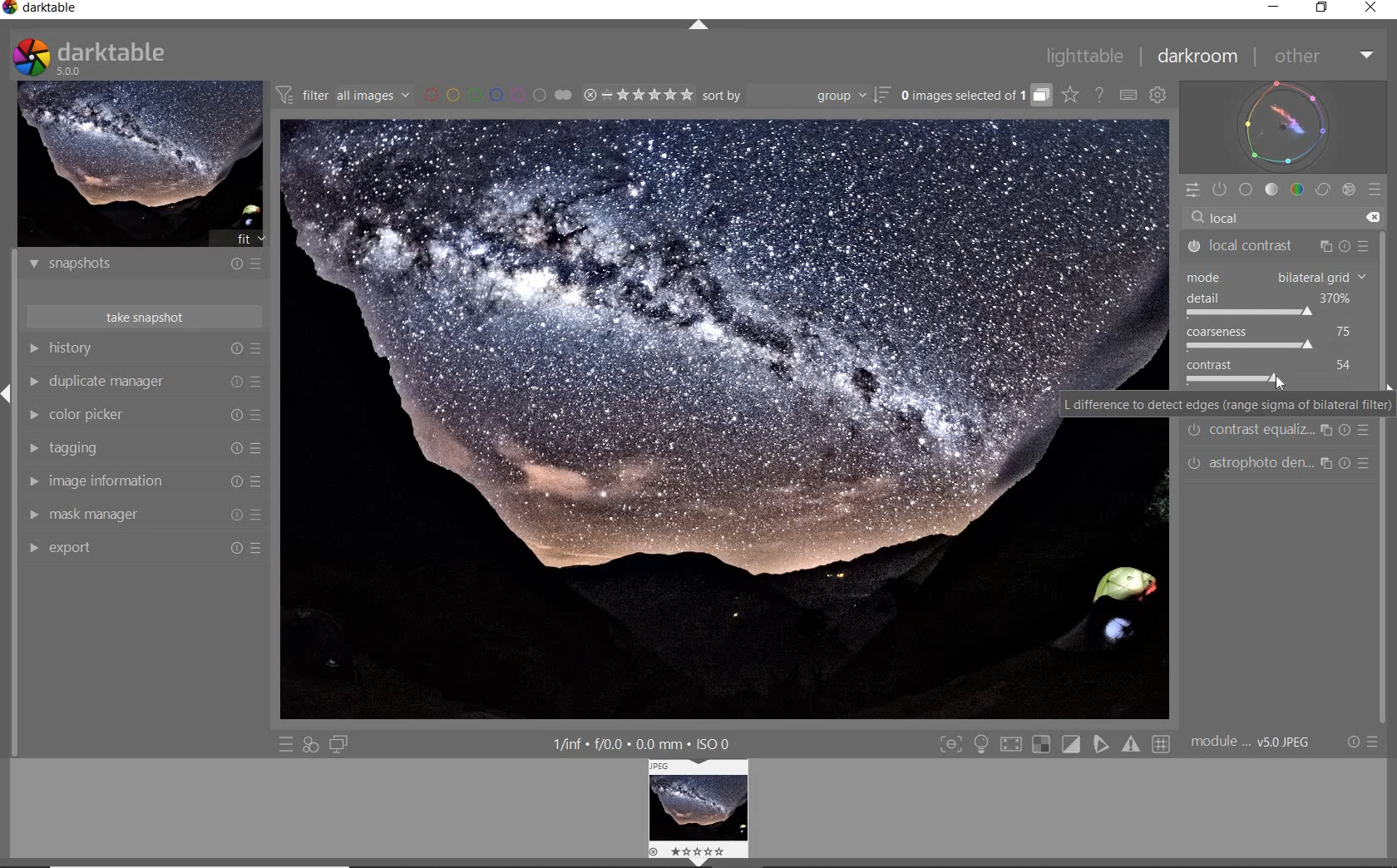  Describe the element at coordinates (343, 95) in the screenshot. I see `FILTER IMAGES BASED ON THEIR MODULE ORDER` at that location.